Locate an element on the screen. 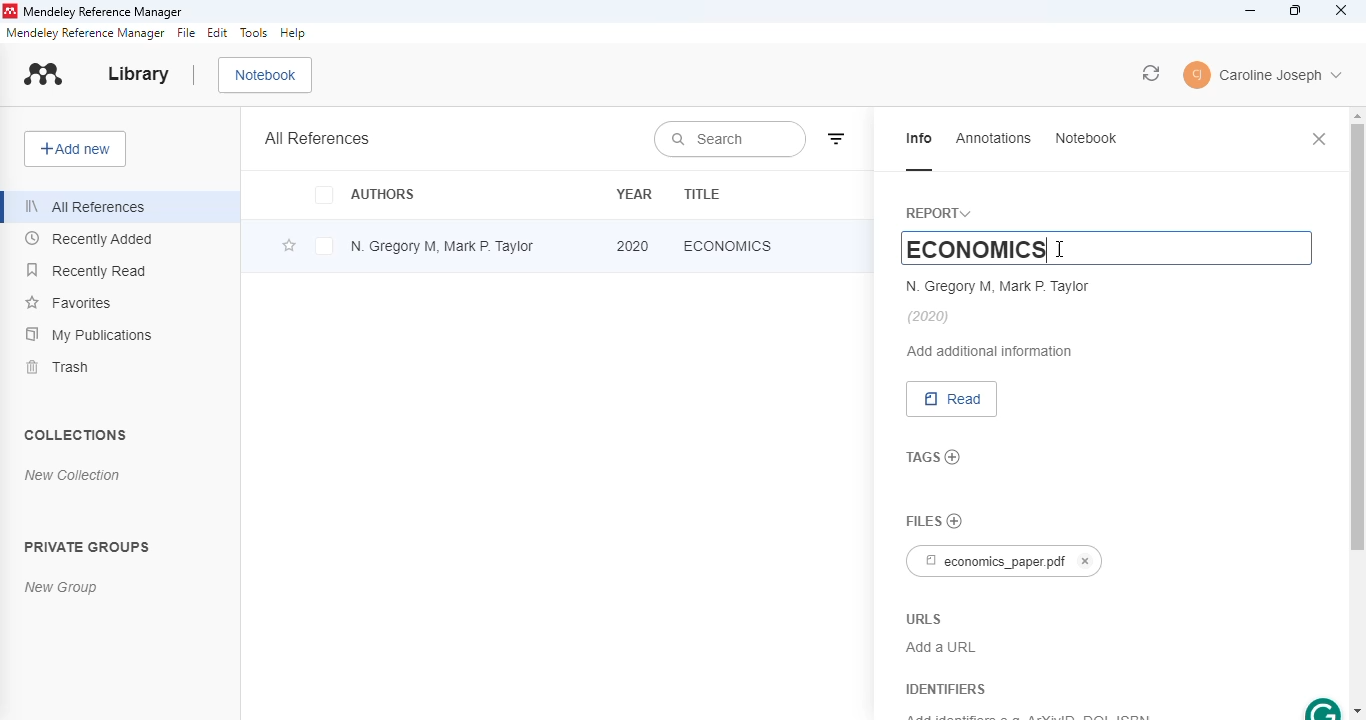 Image resolution: width=1366 pixels, height=720 pixels. add is located at coordinates (954, 458).